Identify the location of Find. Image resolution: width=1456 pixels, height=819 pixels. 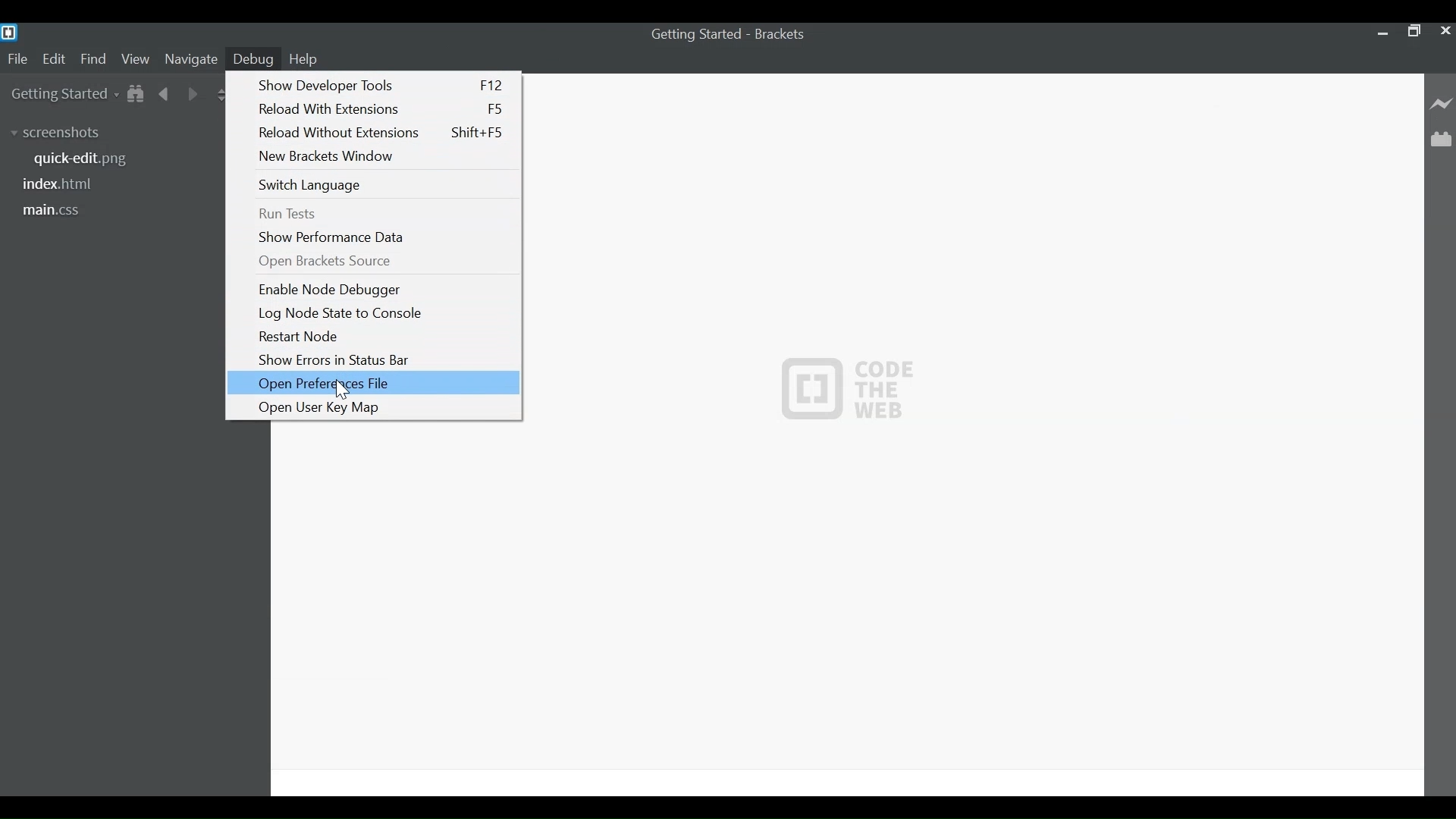
(96, 60).